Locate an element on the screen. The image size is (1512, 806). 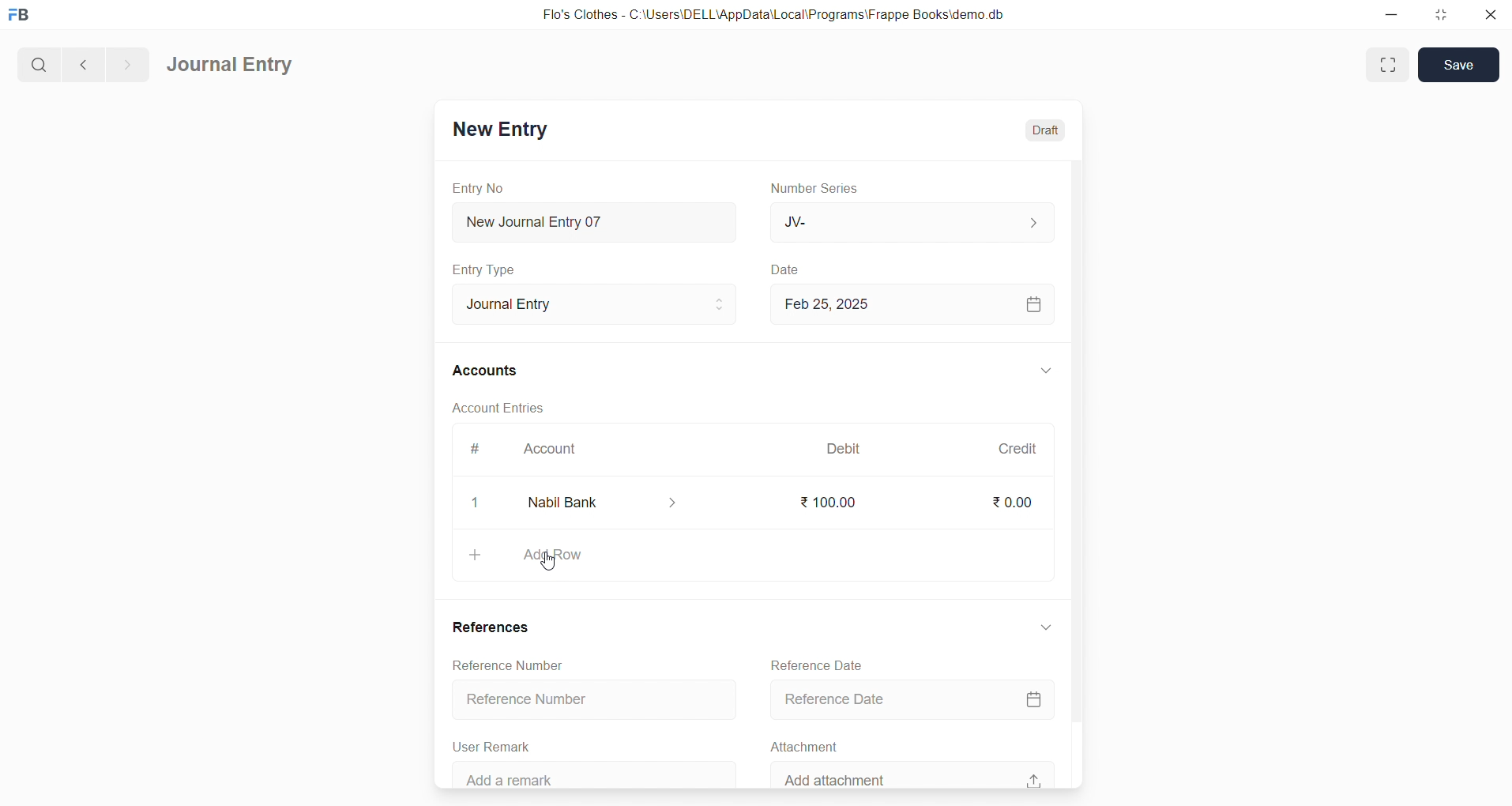
close is located at coordinates (1489, 16).